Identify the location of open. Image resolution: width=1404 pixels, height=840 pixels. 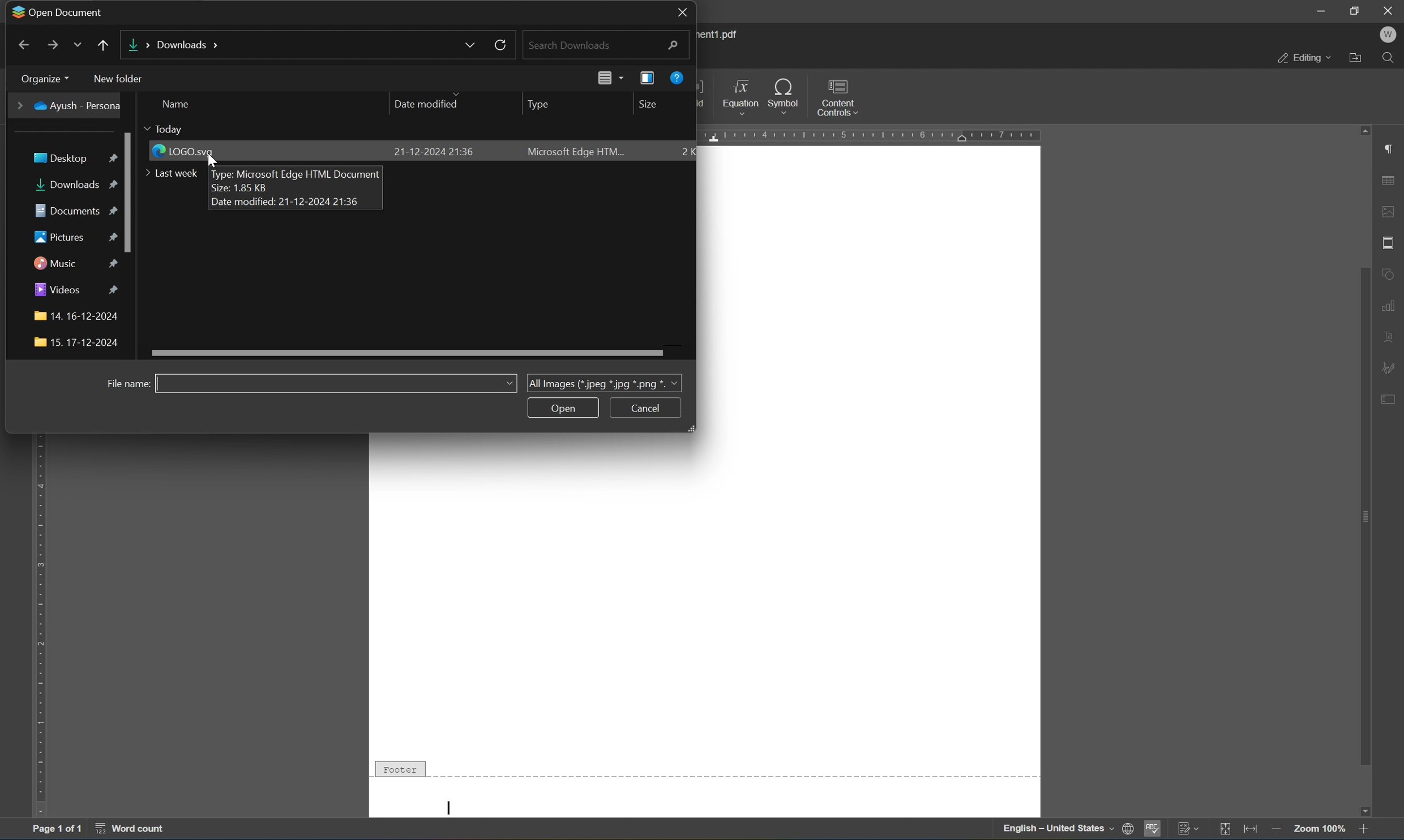
(562, 408).